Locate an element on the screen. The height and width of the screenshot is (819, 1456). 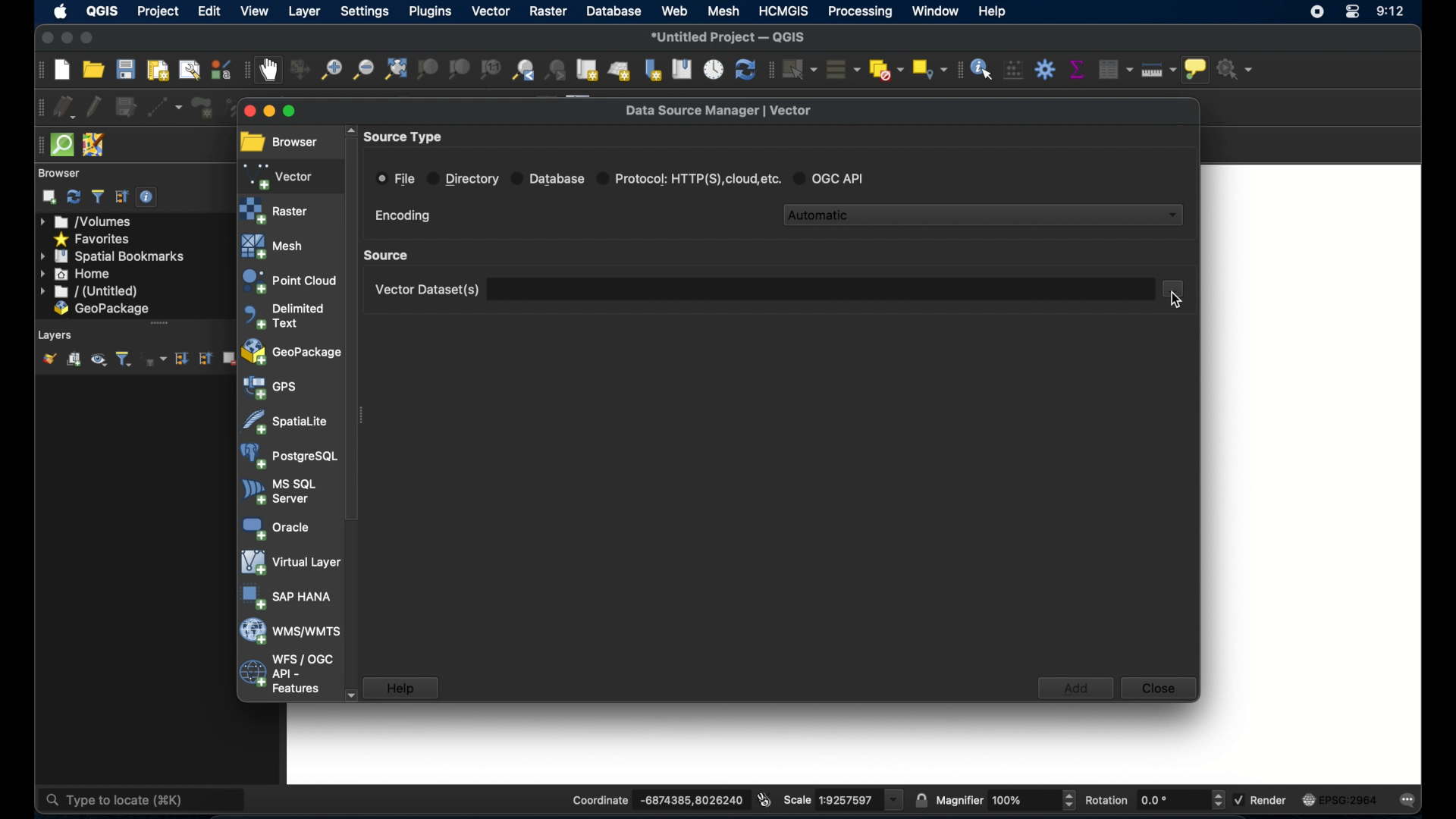
toggle extents and mouse display position is located at coordinates (764, 799).